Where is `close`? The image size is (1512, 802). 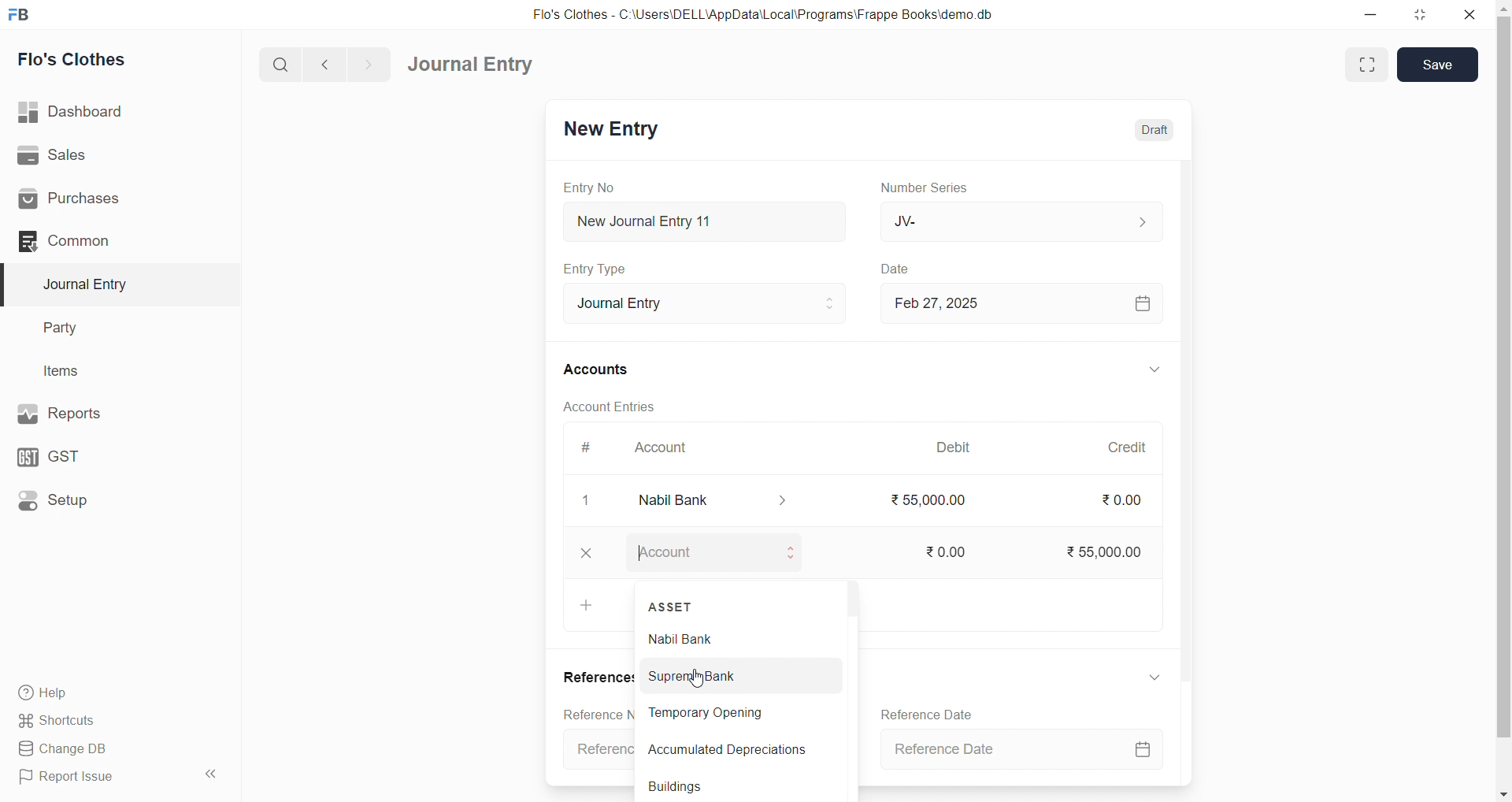
close is located at coordinates (590, 554).